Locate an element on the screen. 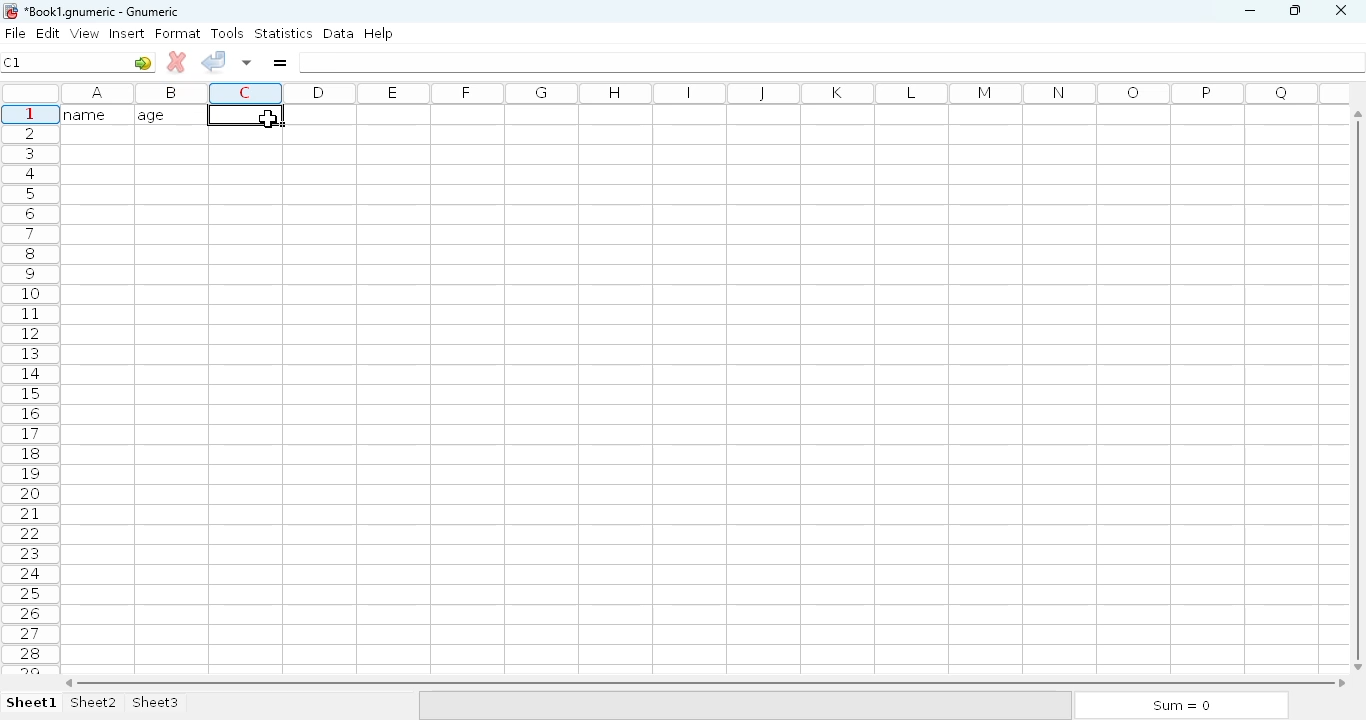  sum = 0 is located at coordinates (1179, 706).